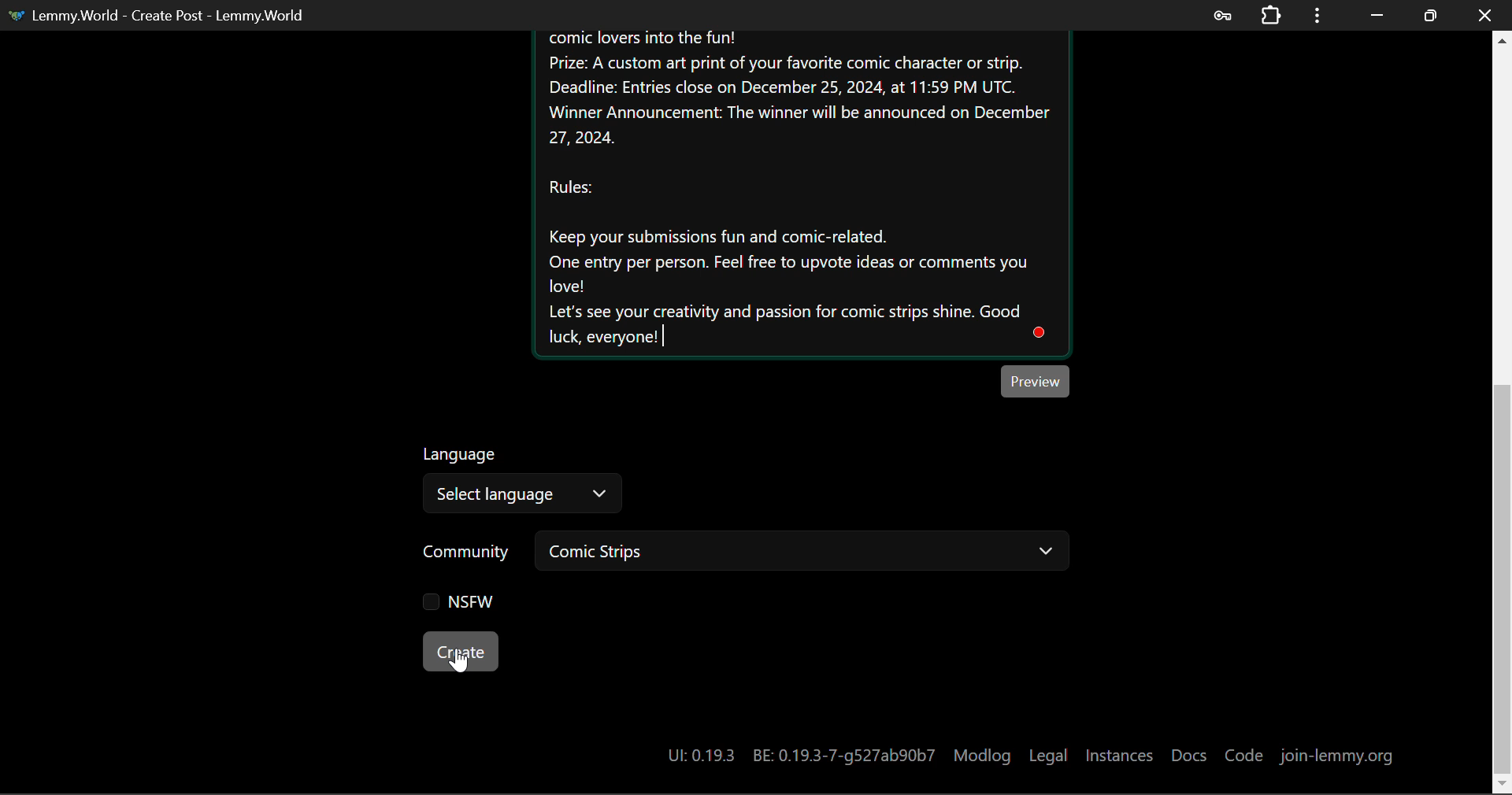 The width and height of the screenshot is (1512, 795). What do you see at coordinates (982, 756) in the screenshot?
I see `Modlog` at bounding box center [982, 756].